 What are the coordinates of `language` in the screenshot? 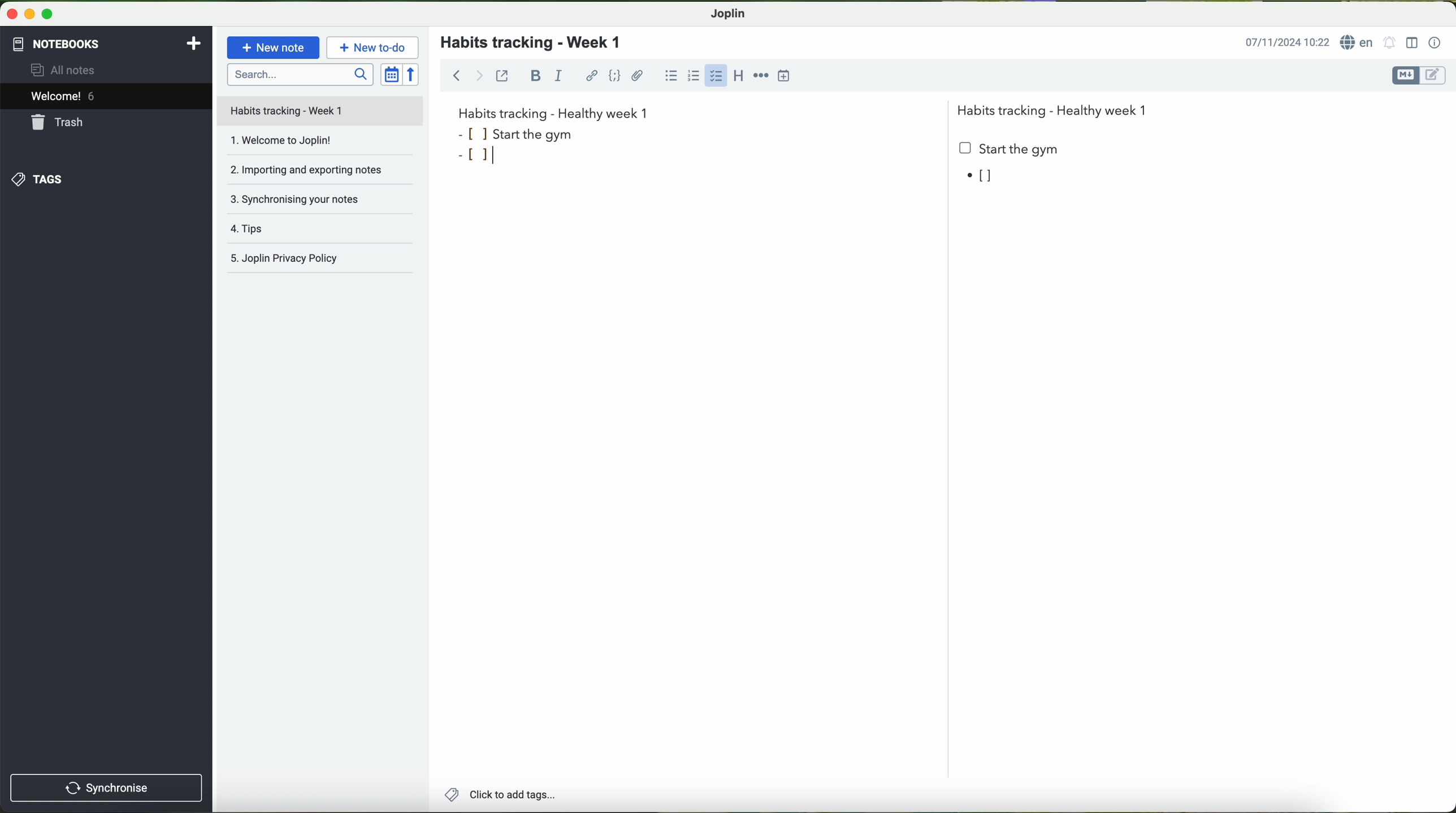 It's located at (1358, 42).